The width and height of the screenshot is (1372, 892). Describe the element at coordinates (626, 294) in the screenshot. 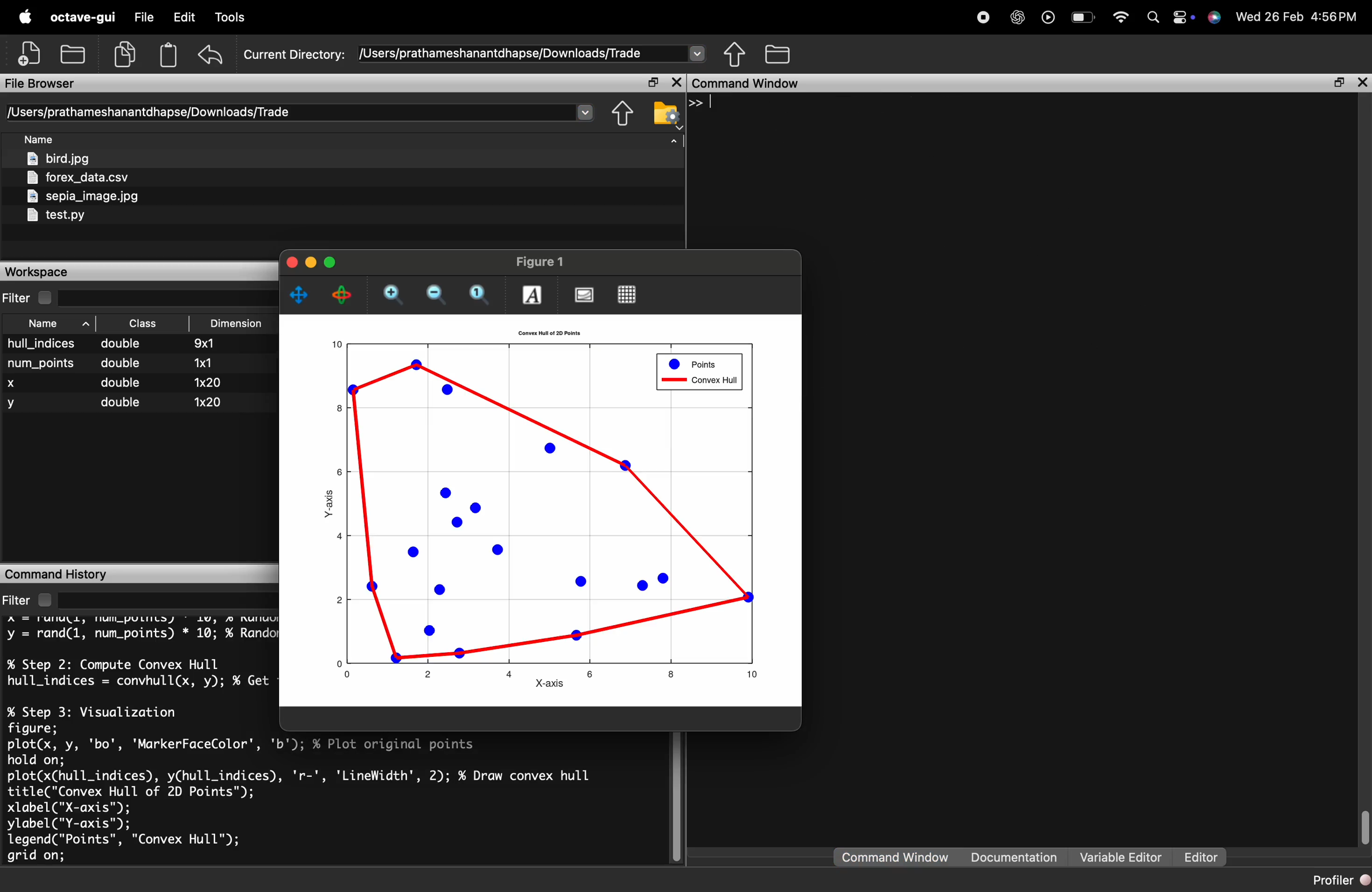

I see `Toggle current axes grid visibility` at that location.